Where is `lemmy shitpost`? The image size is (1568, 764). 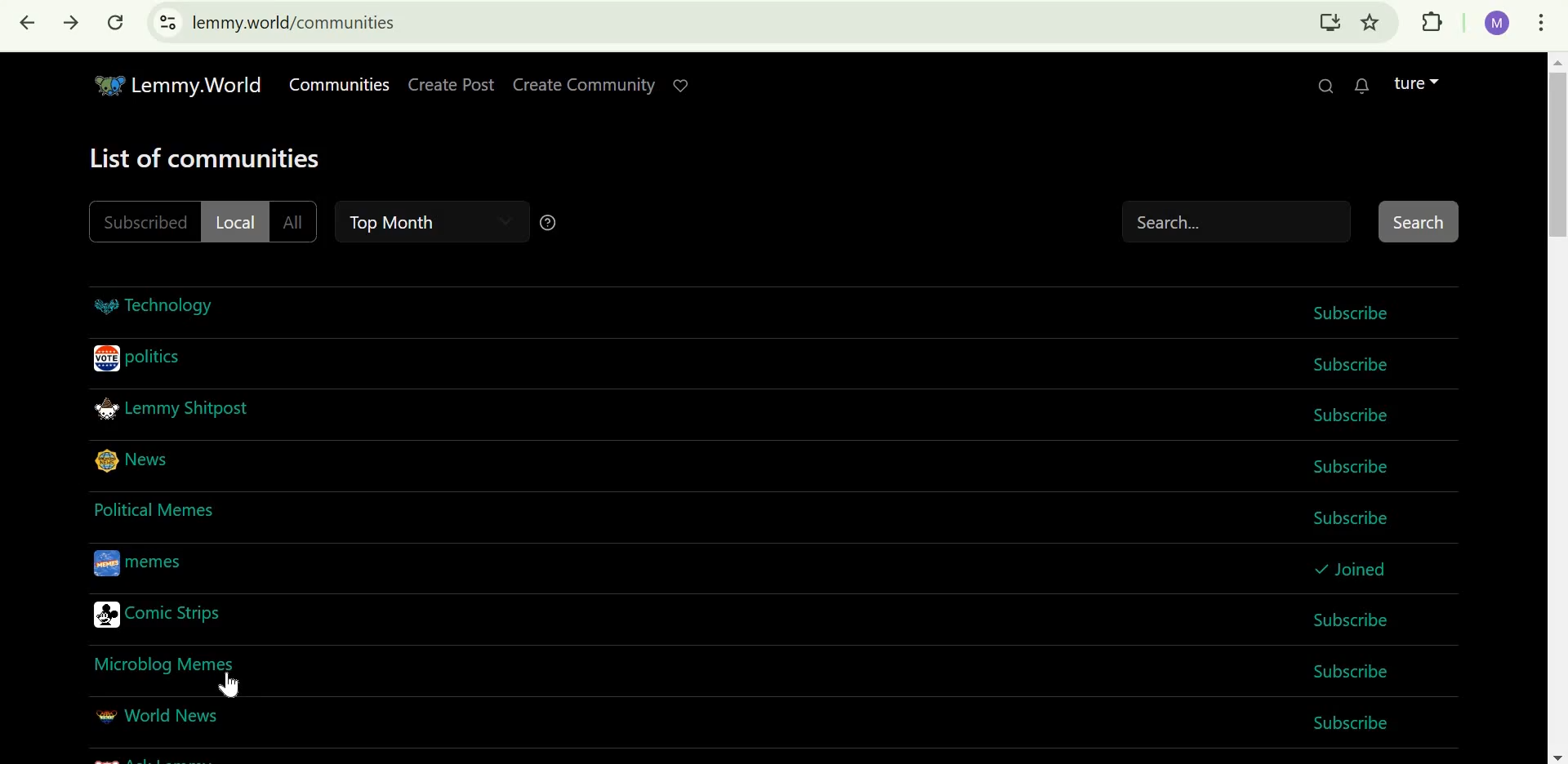
lemmy shitpost is located at coordinates (173, 409).